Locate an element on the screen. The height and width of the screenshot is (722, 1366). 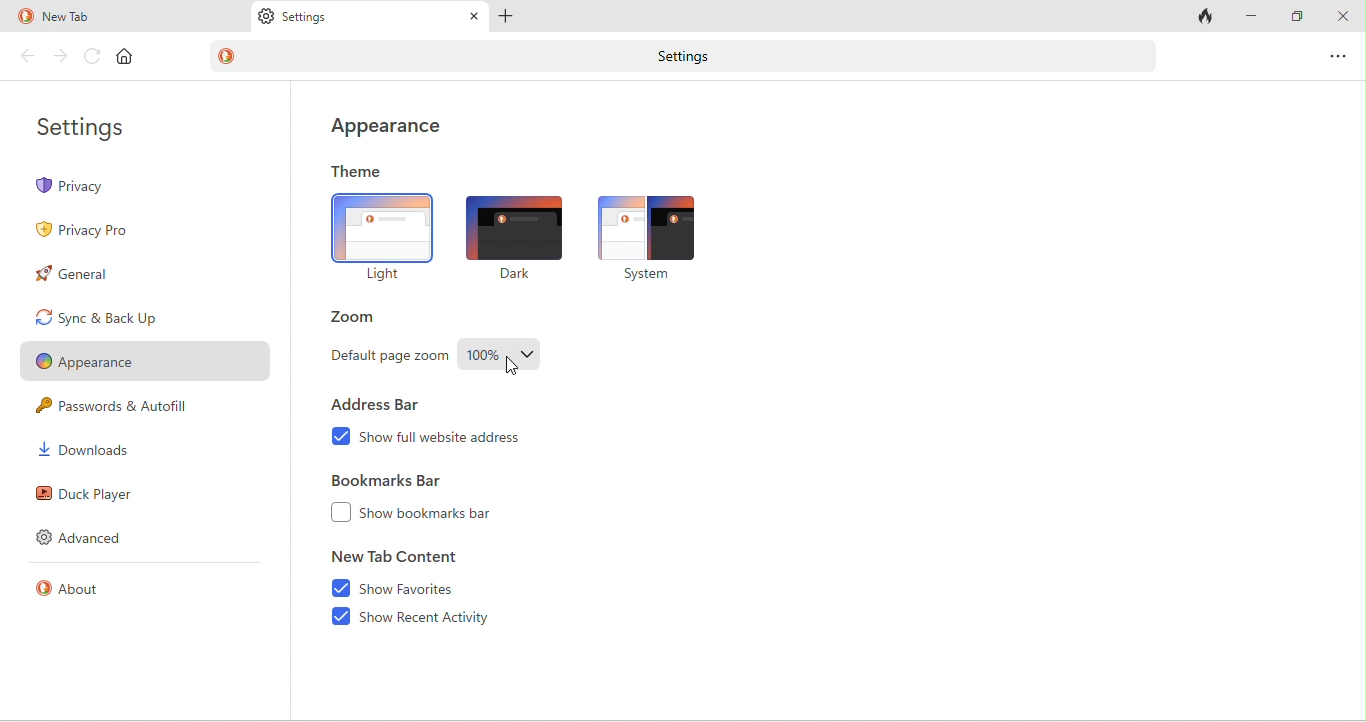
maximize is located at coordinates (1296, 16).